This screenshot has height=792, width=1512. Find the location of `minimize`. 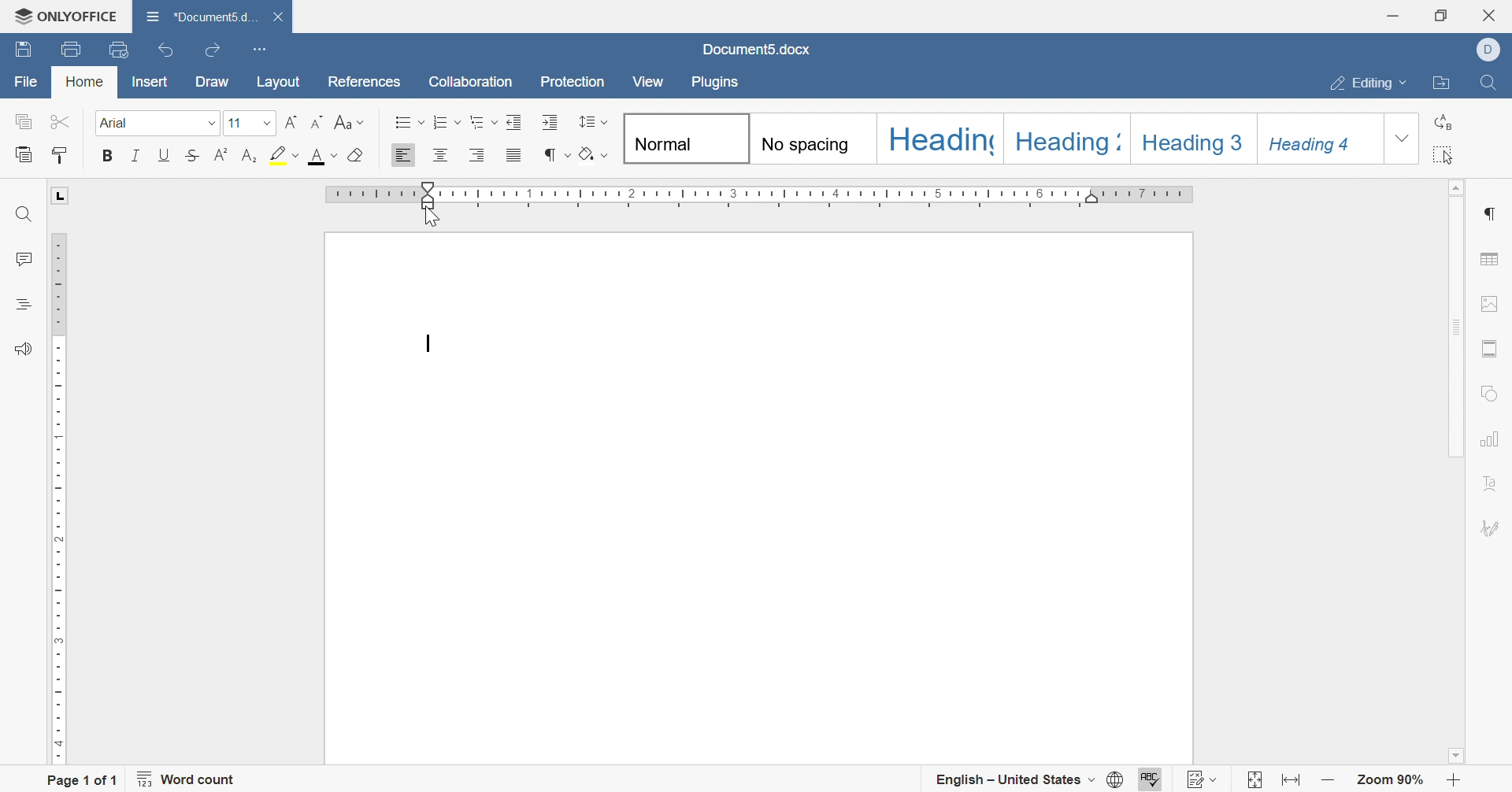

minimize is located at coordinates (1395, 14).